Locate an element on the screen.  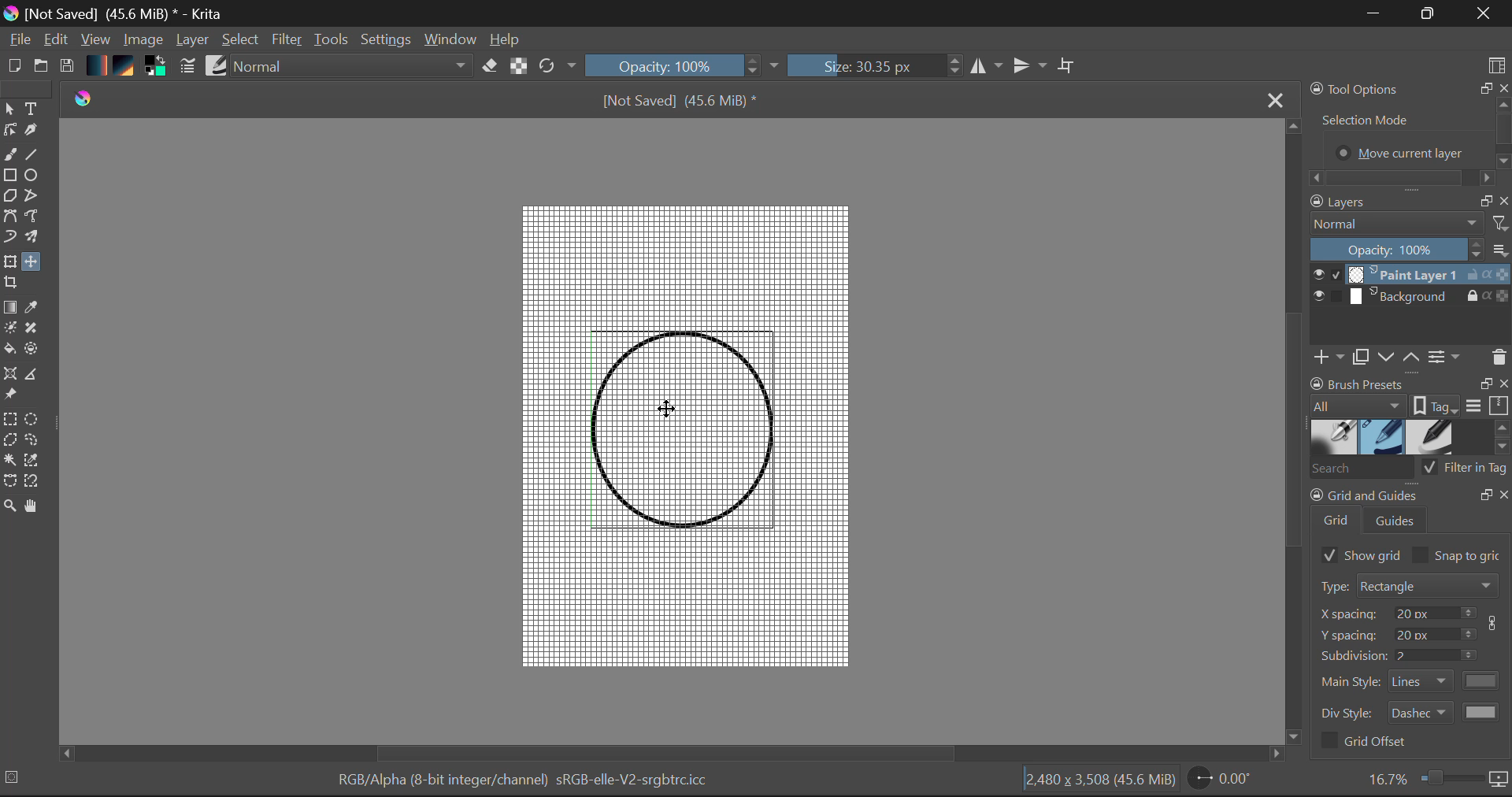
Layers Quickbuttons is located at coordinates (1408, 358).